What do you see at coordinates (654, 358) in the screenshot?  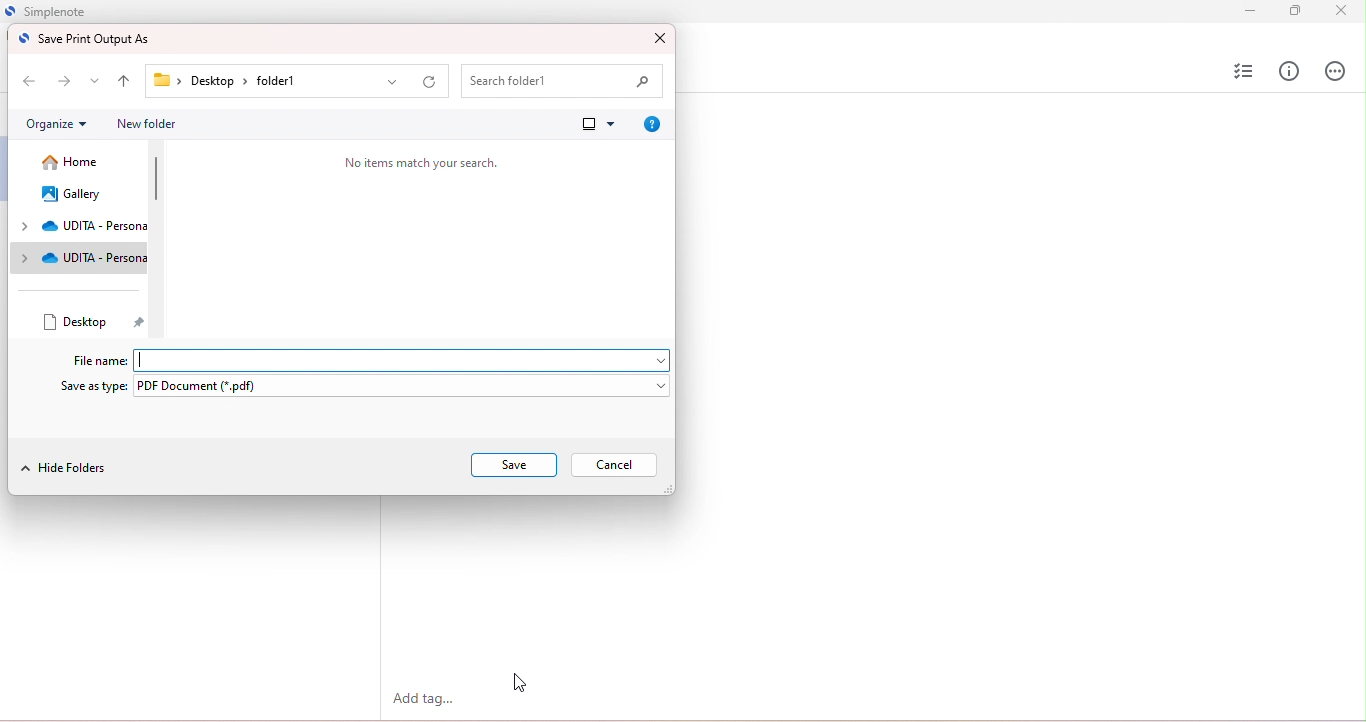 I see `Dropdown` at bounding box center [654, 358].